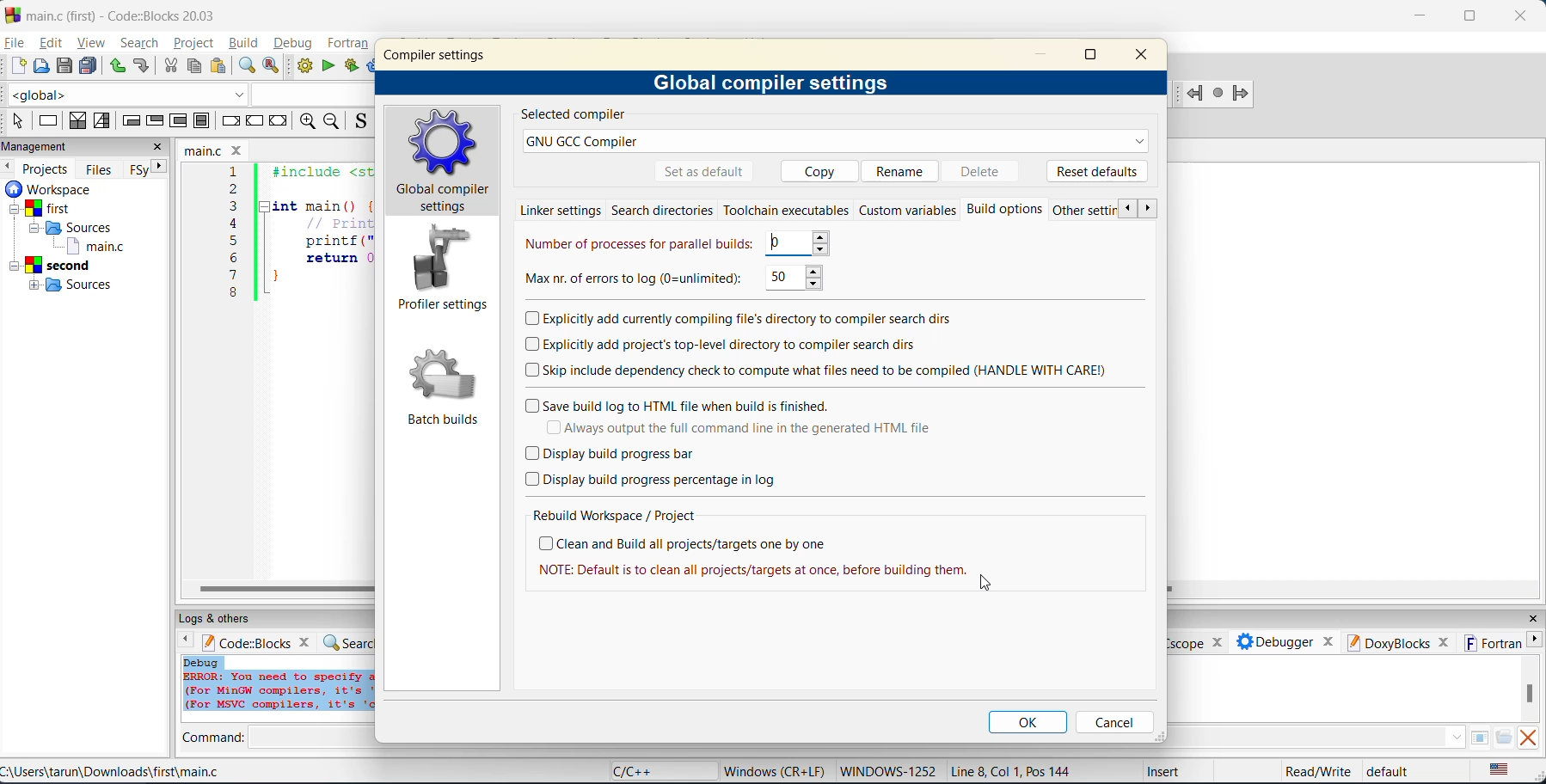 This screenshot has height=784, width=1546. I want to click on GNU GCC compiler, so click(837, 142).